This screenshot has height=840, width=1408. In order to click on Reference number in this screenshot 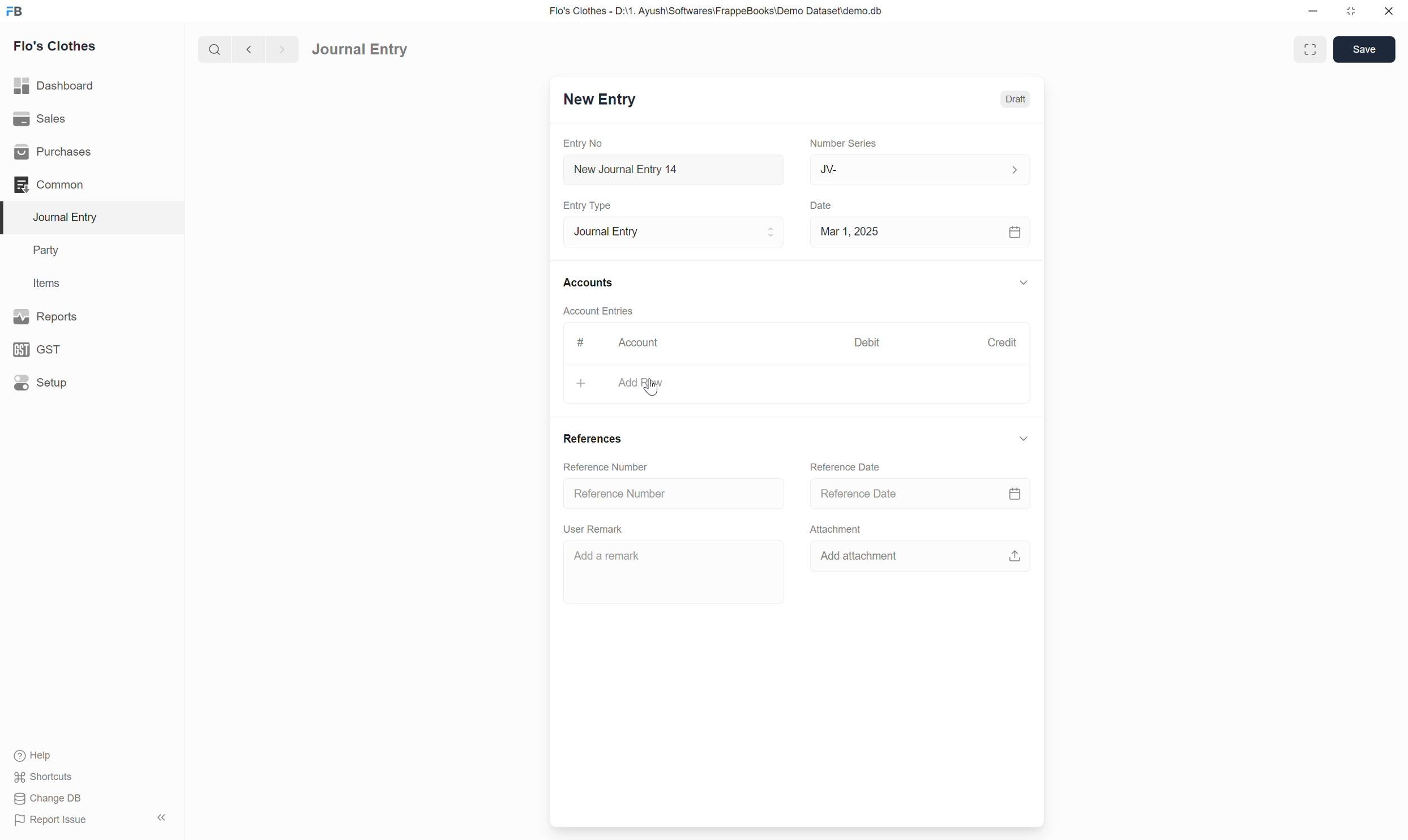, I will do `click(617, 466)`.